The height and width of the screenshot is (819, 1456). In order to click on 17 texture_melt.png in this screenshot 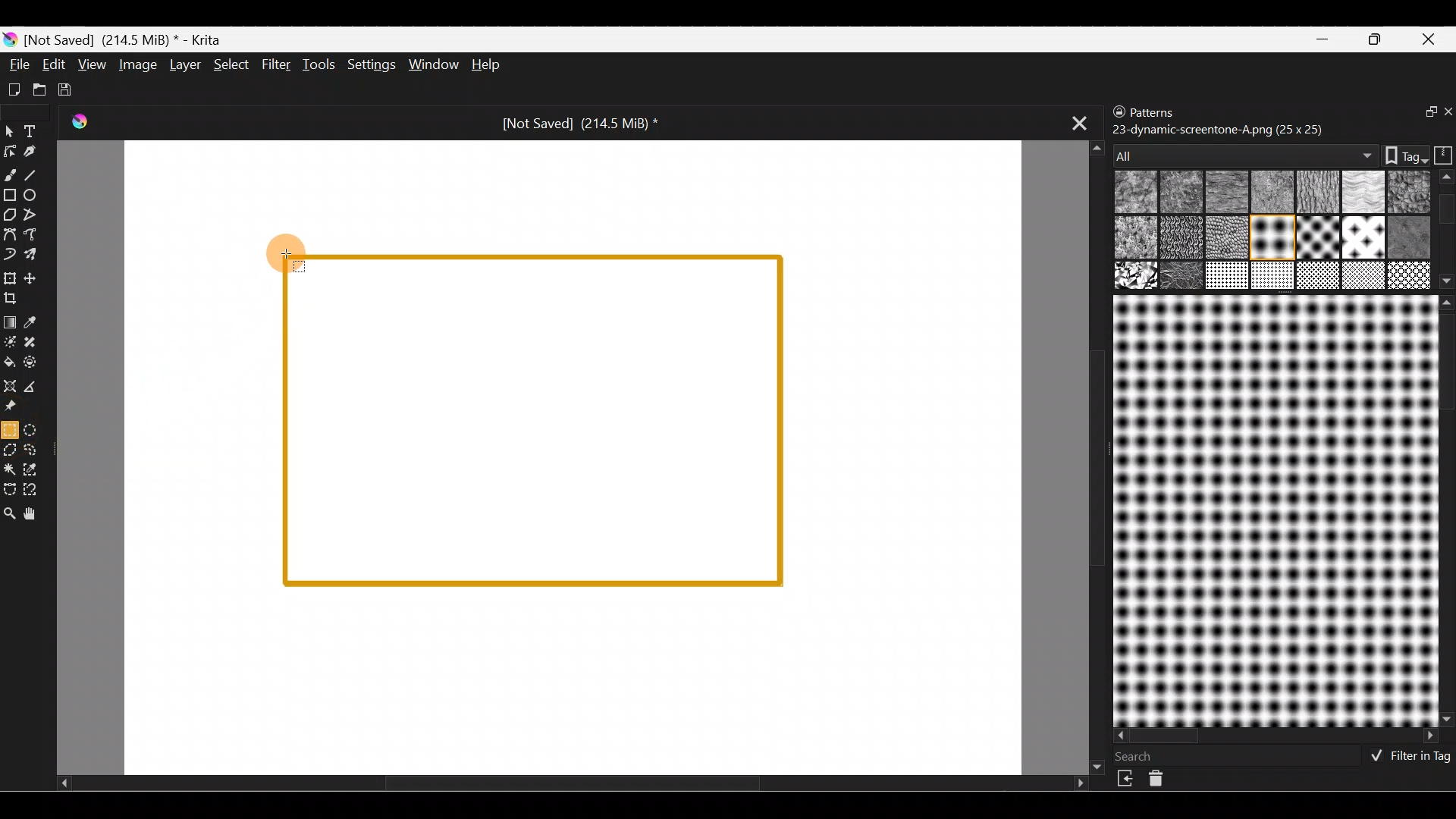, I will do `click(1274, 275)`.